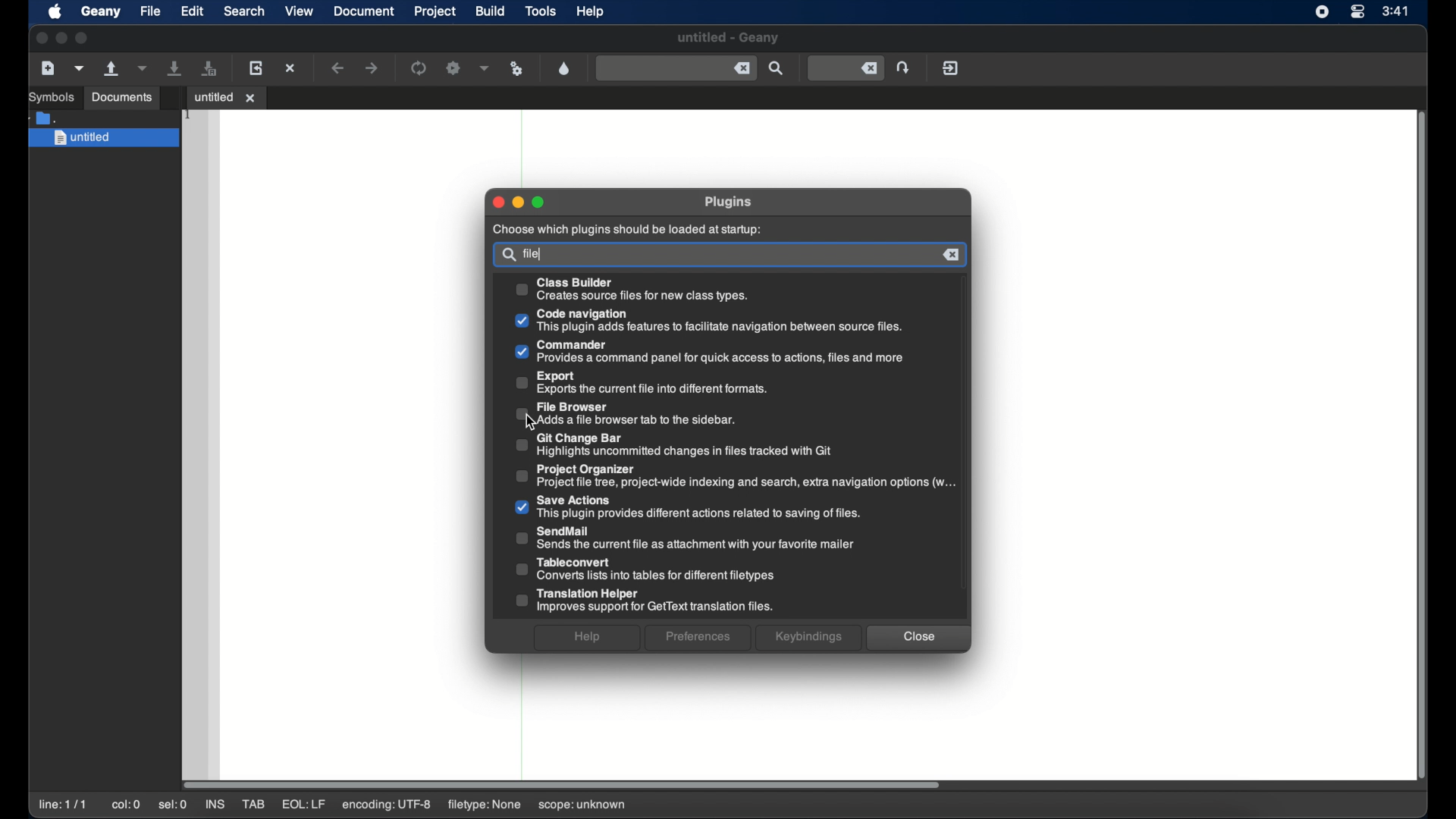 This screenshot has width=1456, height=819. Describe the element at coordinates (99, 11) in the screenshot. I see `geany` at that location.